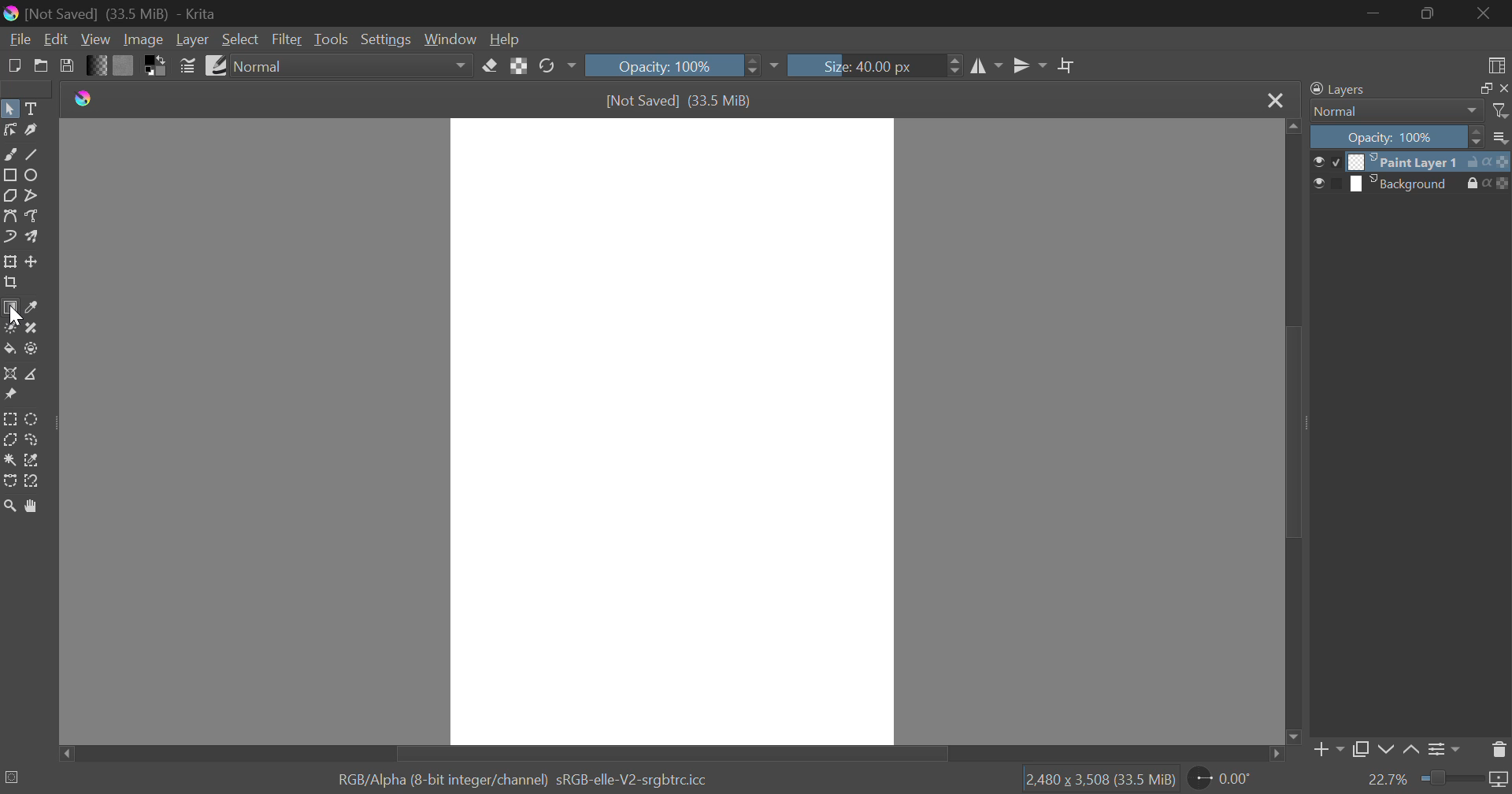 The width and height of the screenshot is (1512, 794). Describe the element at coordinates (288, 39) in the screenshot. I see `Filter` at that location.